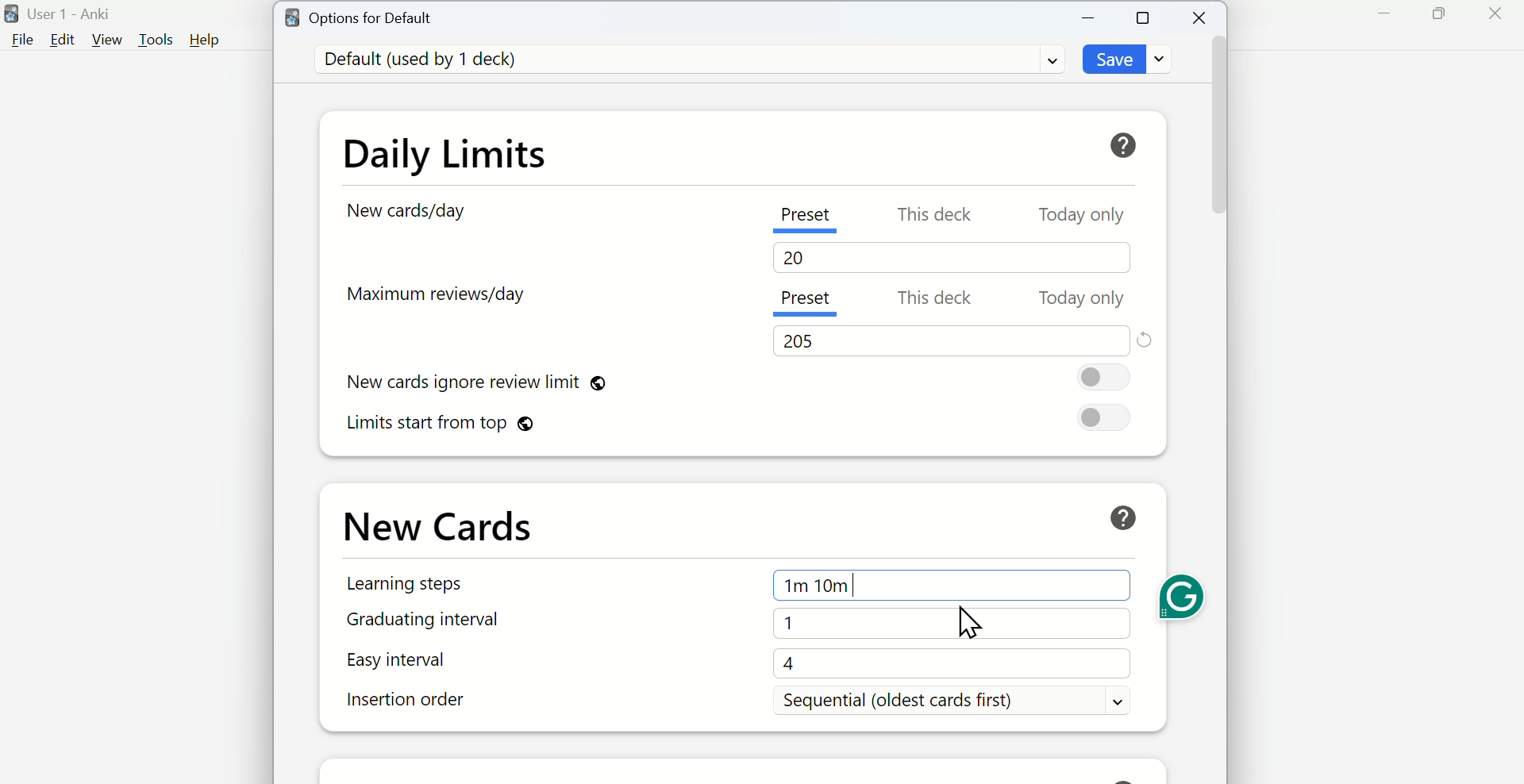  Describe the element at coordinates (967, 624) in the screenshot. I see `cursor` at that location.